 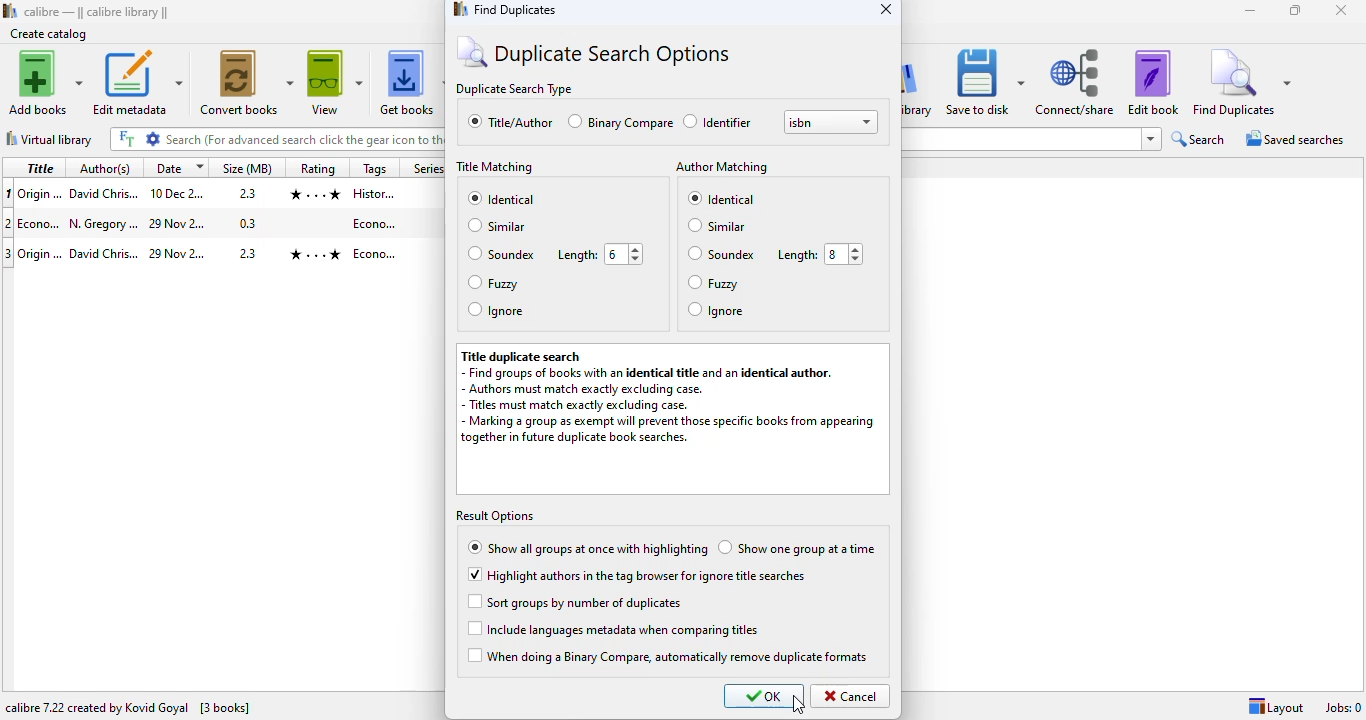 What do you see at coordinates (498, 226) in the screenshot?
I see `similar` at bounding box center [498, 226].